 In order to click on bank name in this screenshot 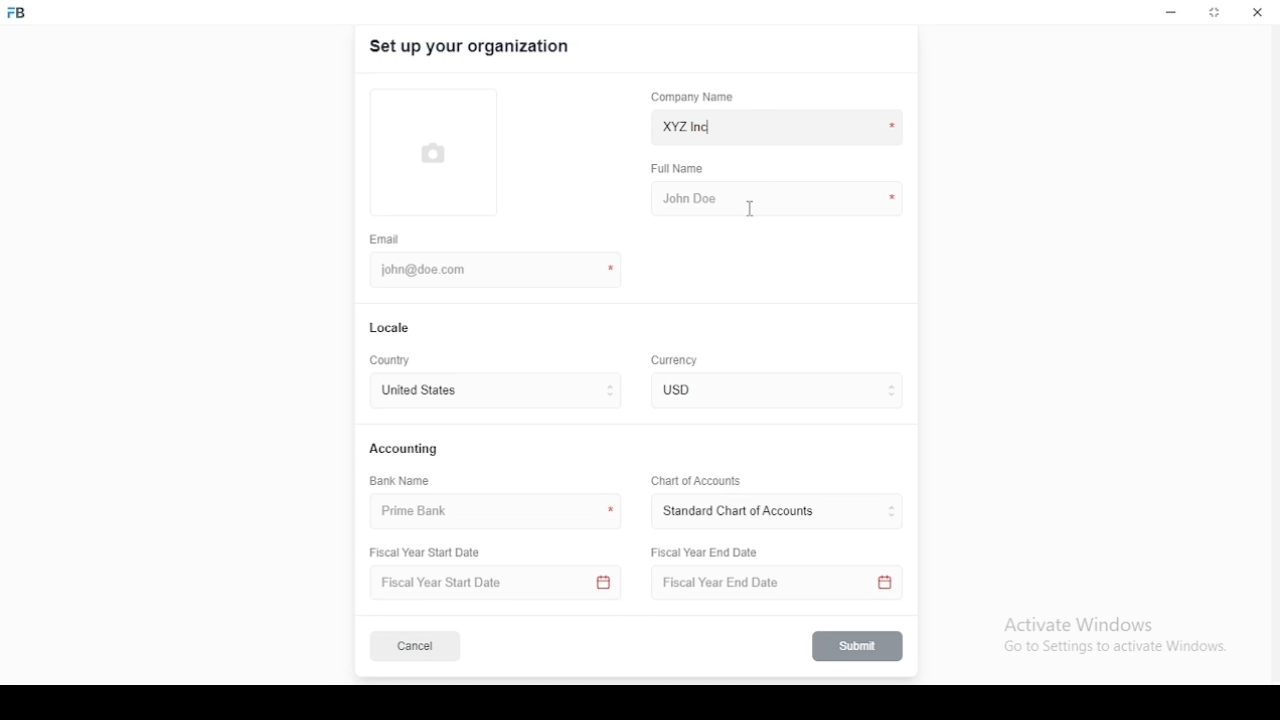, I will do `click(401, 481)`.